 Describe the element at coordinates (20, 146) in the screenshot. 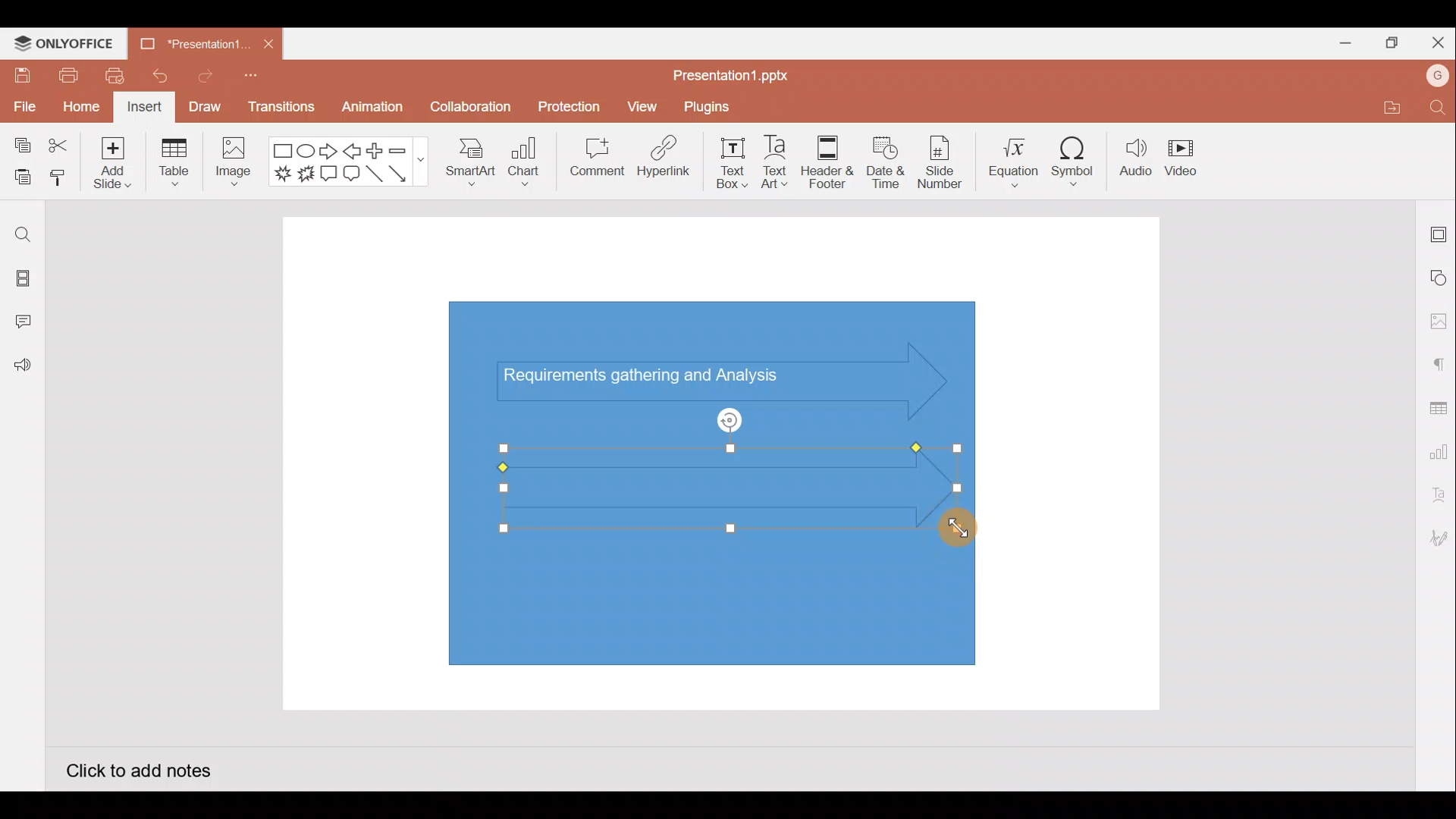

I see `Copy` at that location.